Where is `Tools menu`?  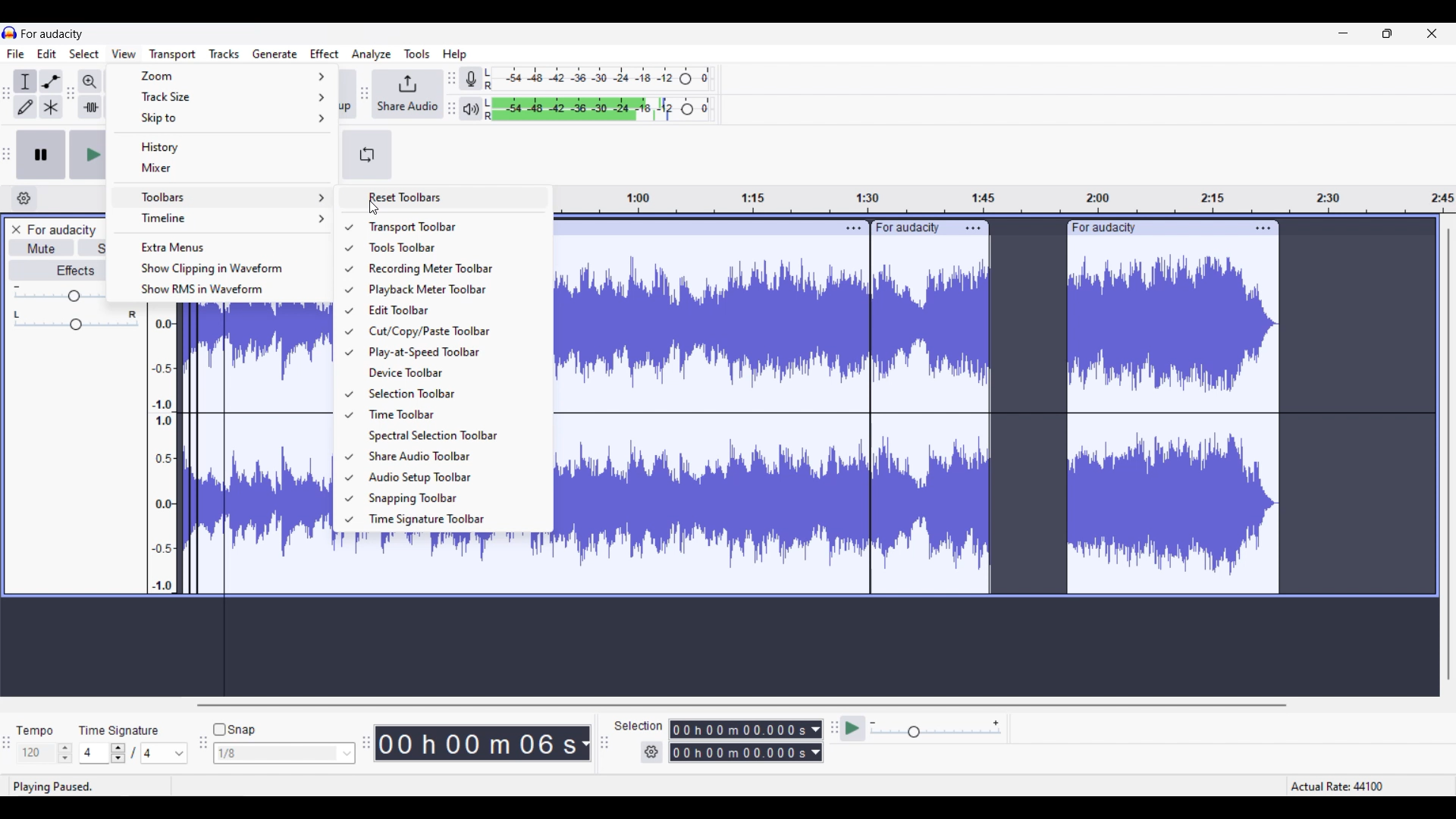 Tools menu is located at coordinates (418, 54).